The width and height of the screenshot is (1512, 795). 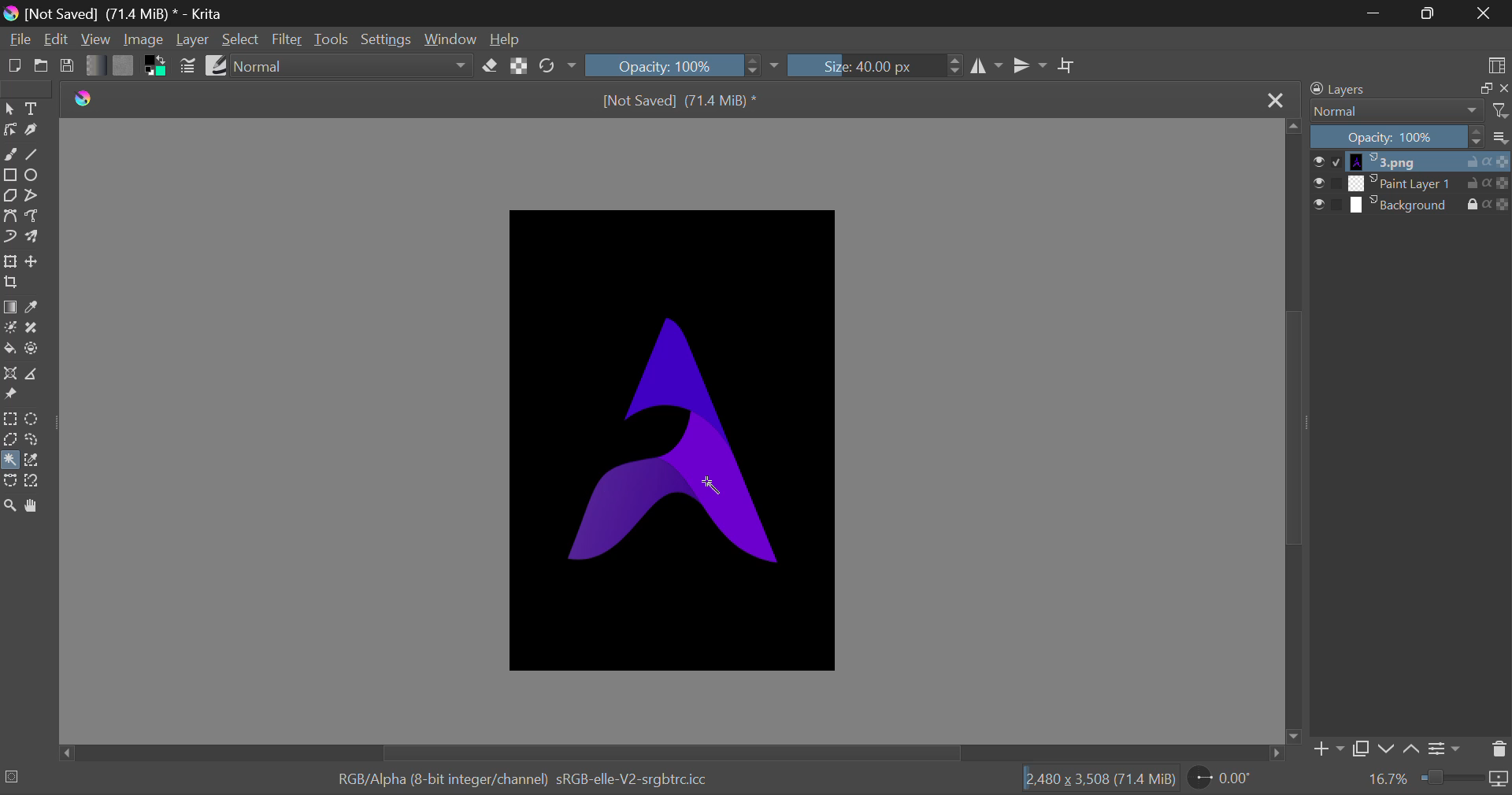 What do you see at coordinates (9, 502) in the screenshot?
I see `Zoom` at bounding box center [9, 502].